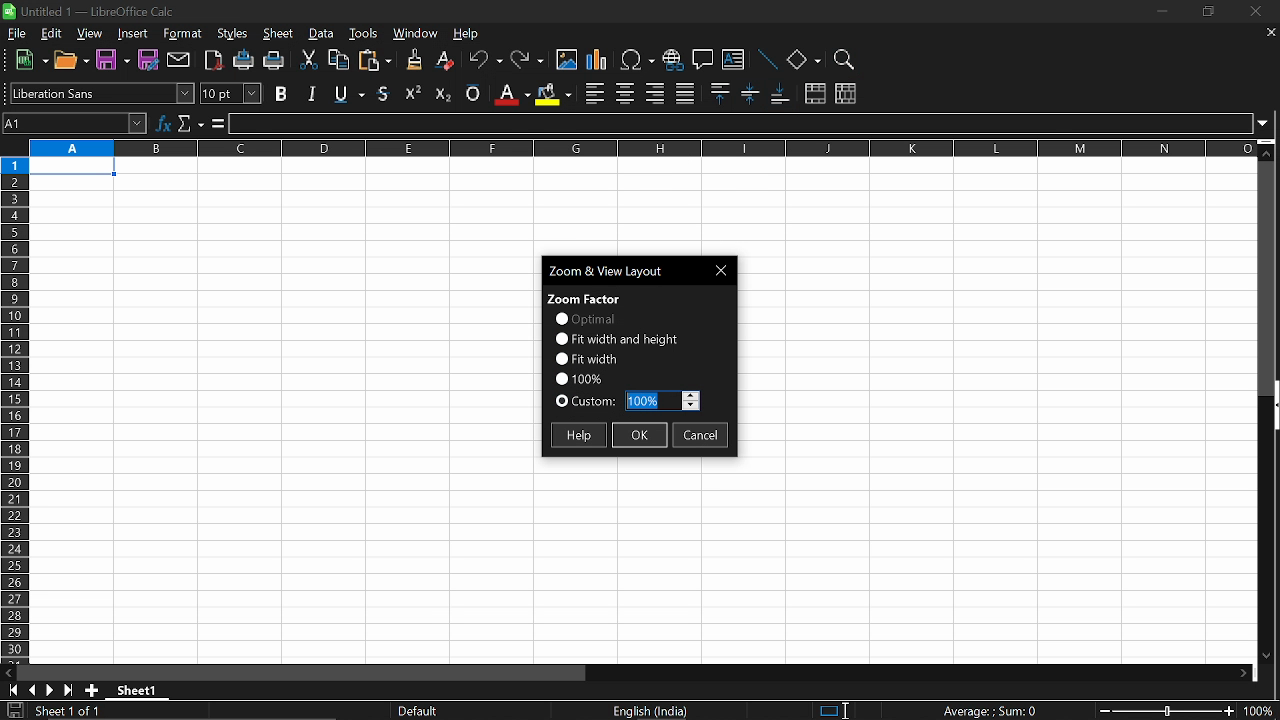 This screenshot has width=1280, height=720. What do you see at coordinates (528, 61) in the screenshot?
I see `redo` at bounding box center [528, 61].